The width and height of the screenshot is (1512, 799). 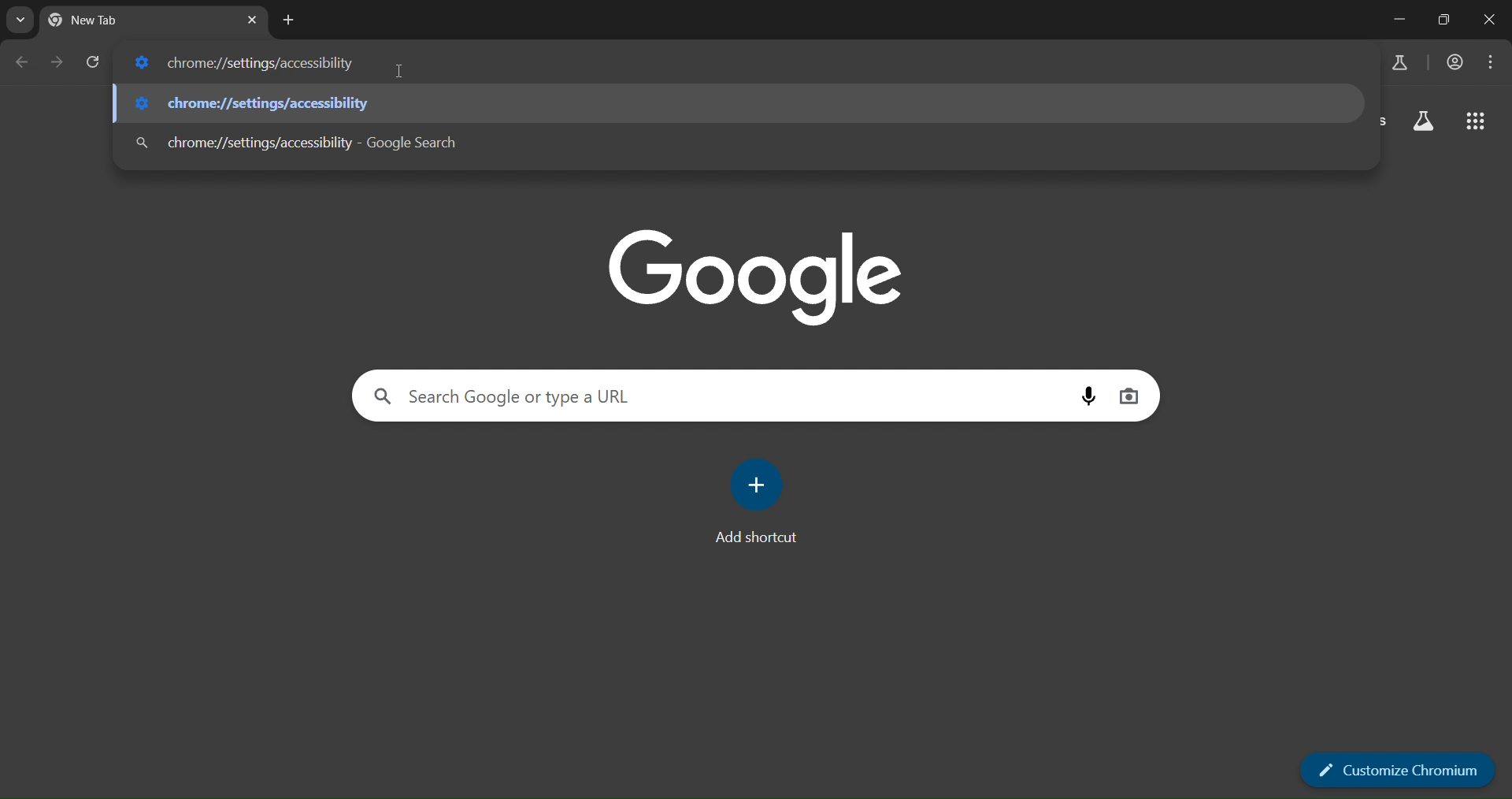 I want to click on chrome://settings/accessibility, so click(x=736, y=138).